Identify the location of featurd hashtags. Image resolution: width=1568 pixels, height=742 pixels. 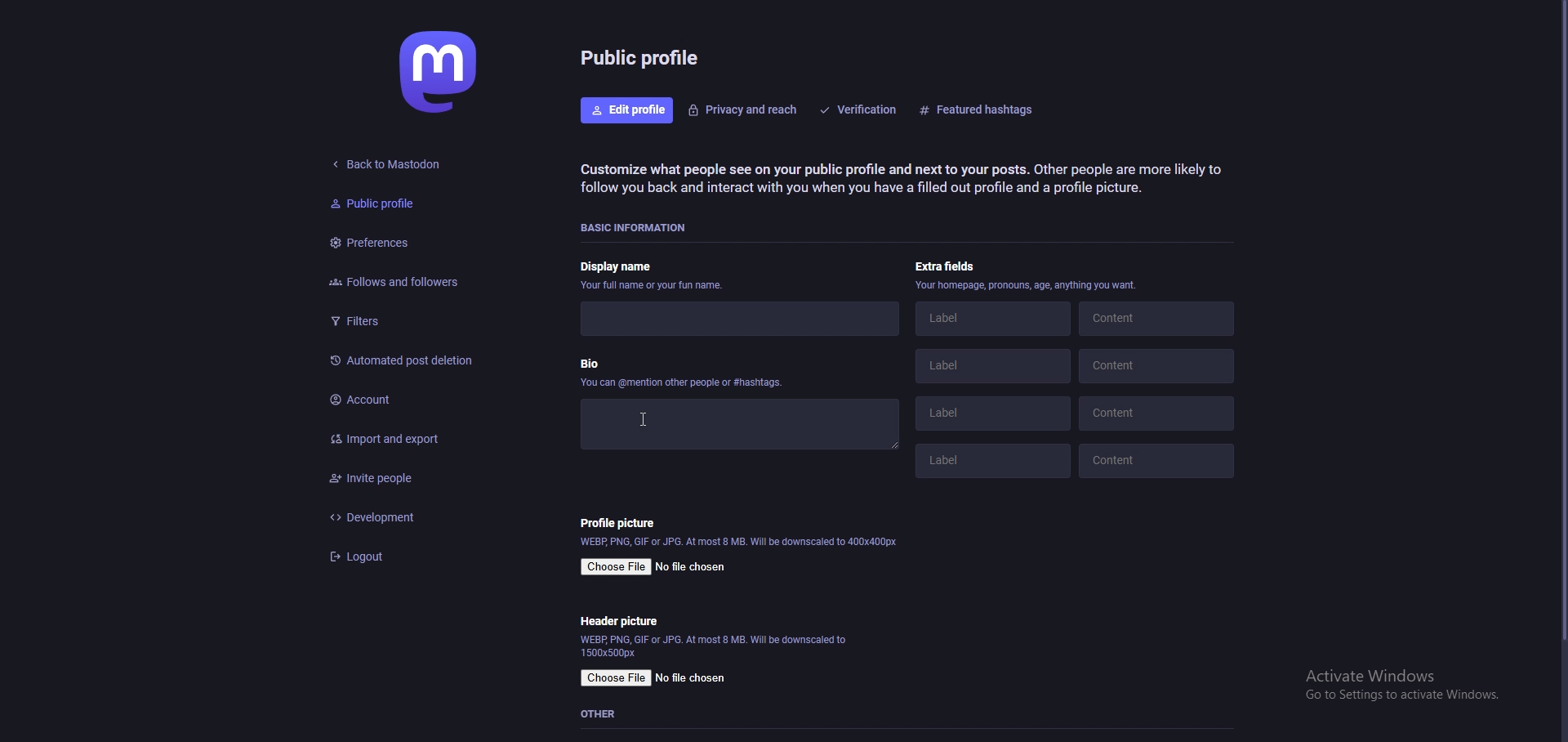
(982, 110).